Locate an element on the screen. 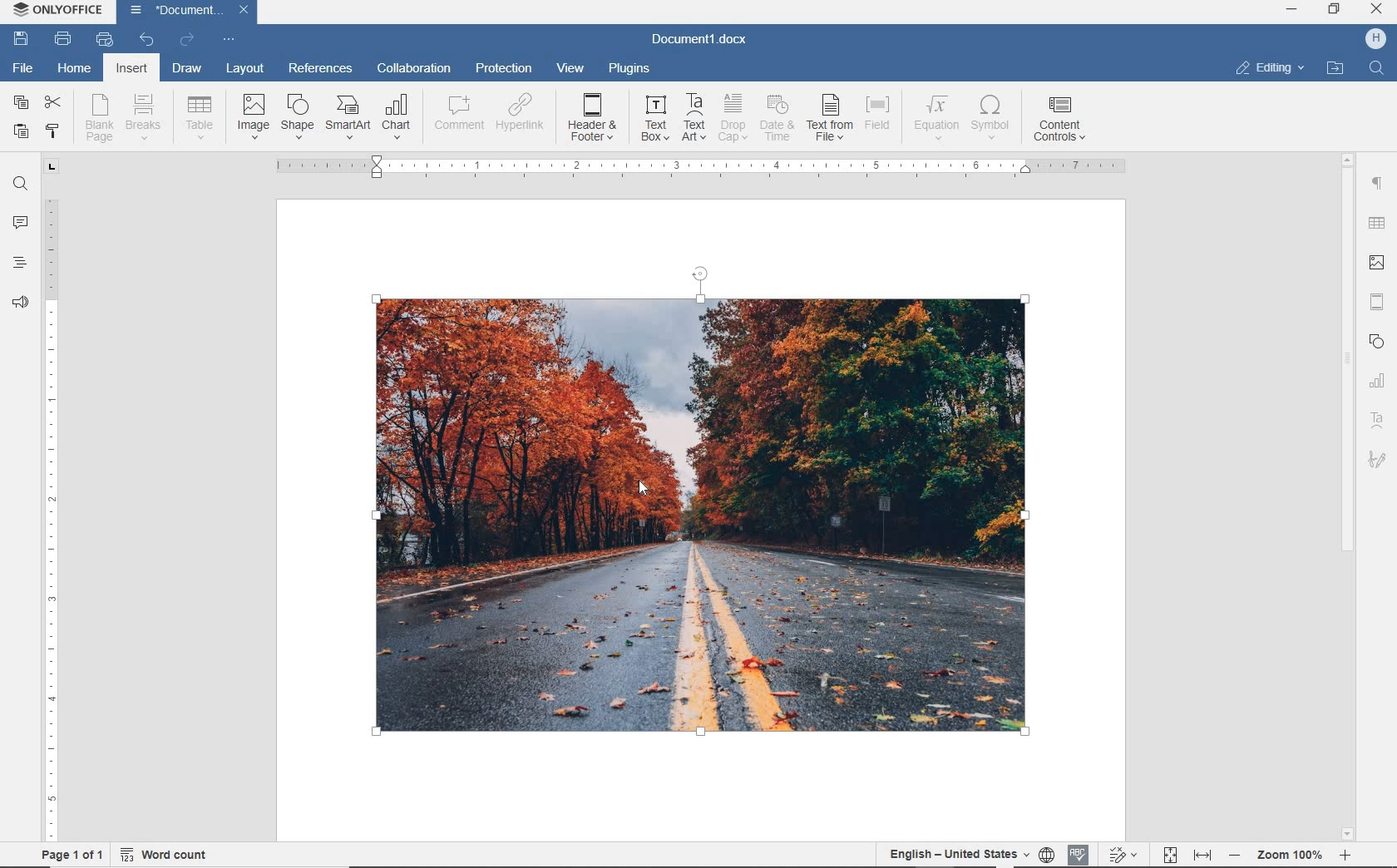 The width and height of the screenshot is (1397, 868). feedback & support is located at coordinates (22, 301).